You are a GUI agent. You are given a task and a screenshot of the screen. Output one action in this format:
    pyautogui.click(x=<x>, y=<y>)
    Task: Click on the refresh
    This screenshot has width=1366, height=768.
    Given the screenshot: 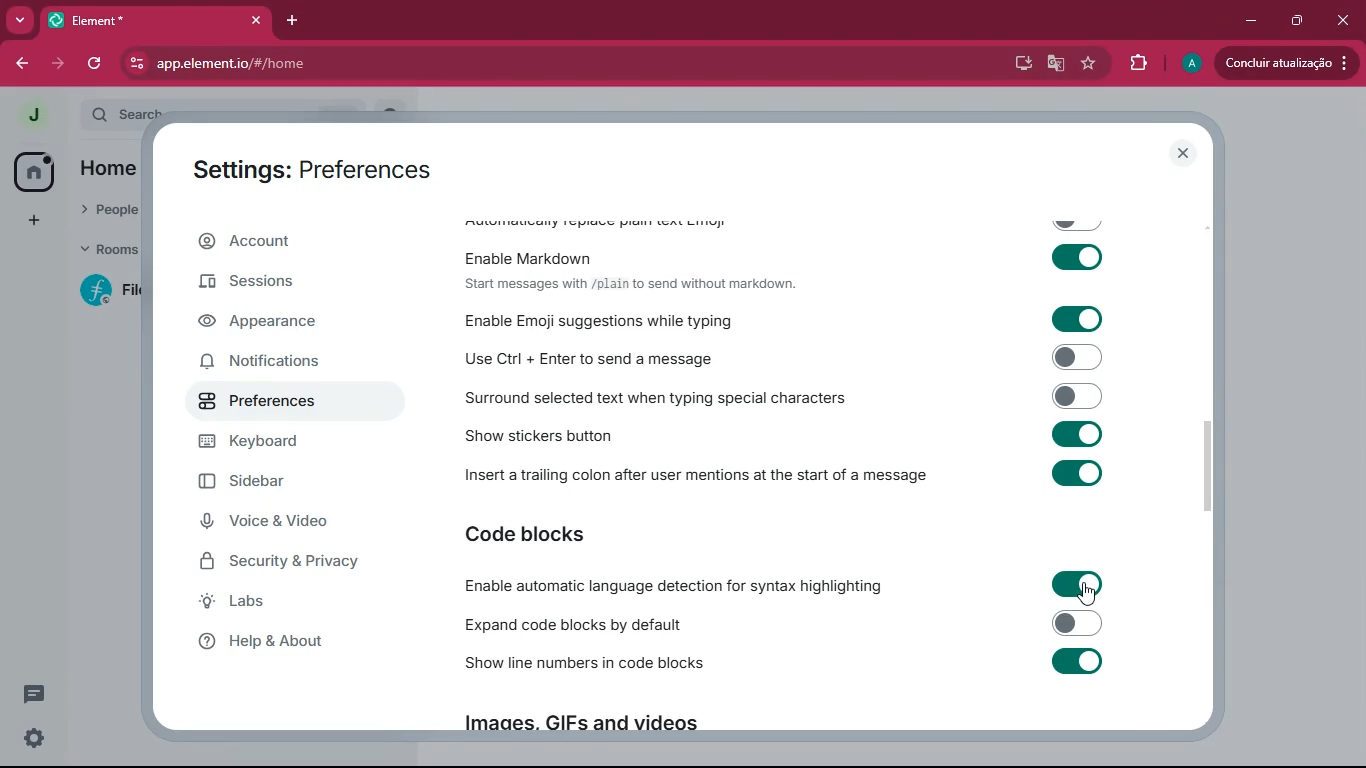 What is the action you would take?
    pyautogui.click(x=97, y=63)
    